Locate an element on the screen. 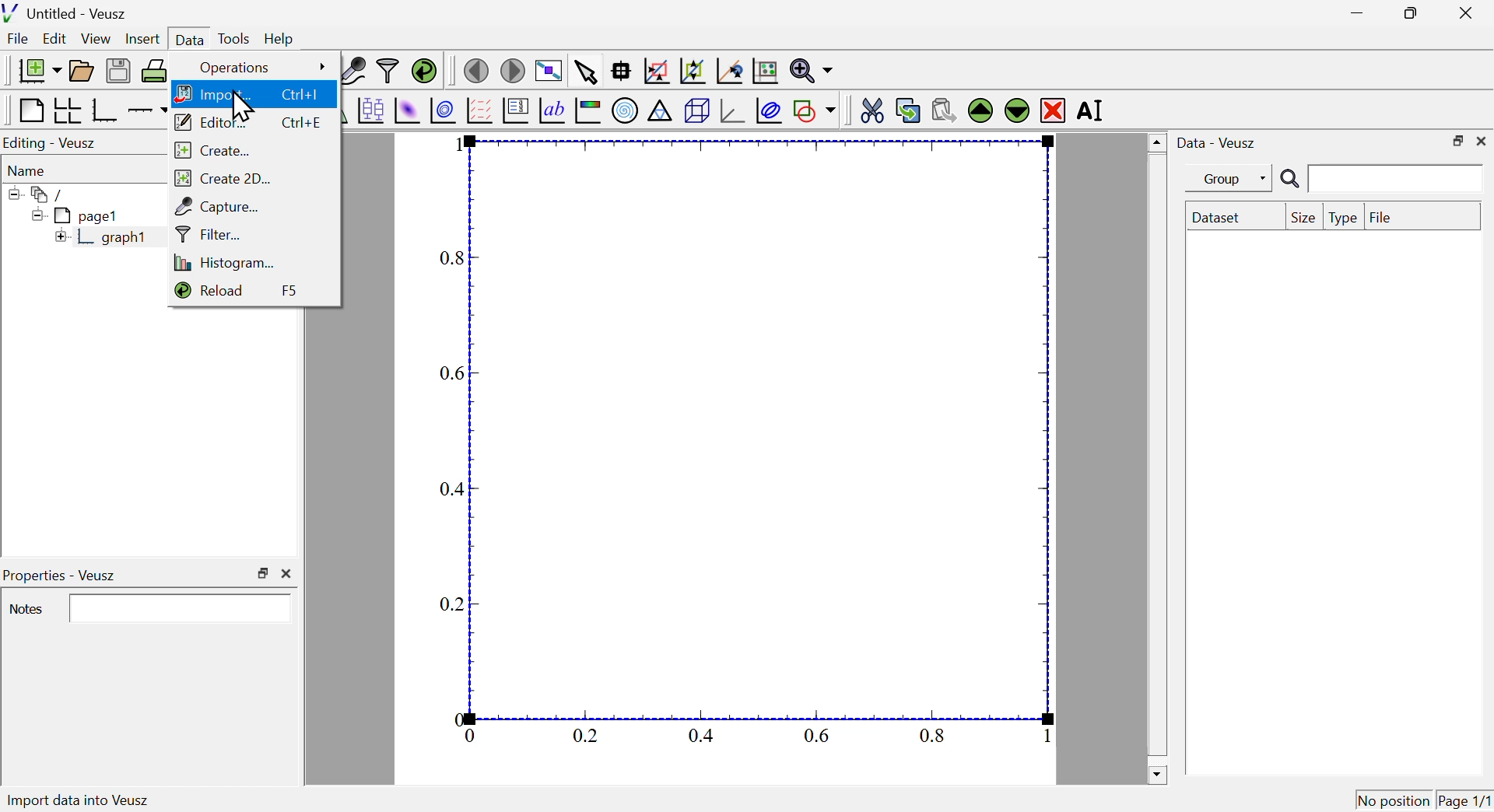  move to the next page is located at coordinates (515, 70).